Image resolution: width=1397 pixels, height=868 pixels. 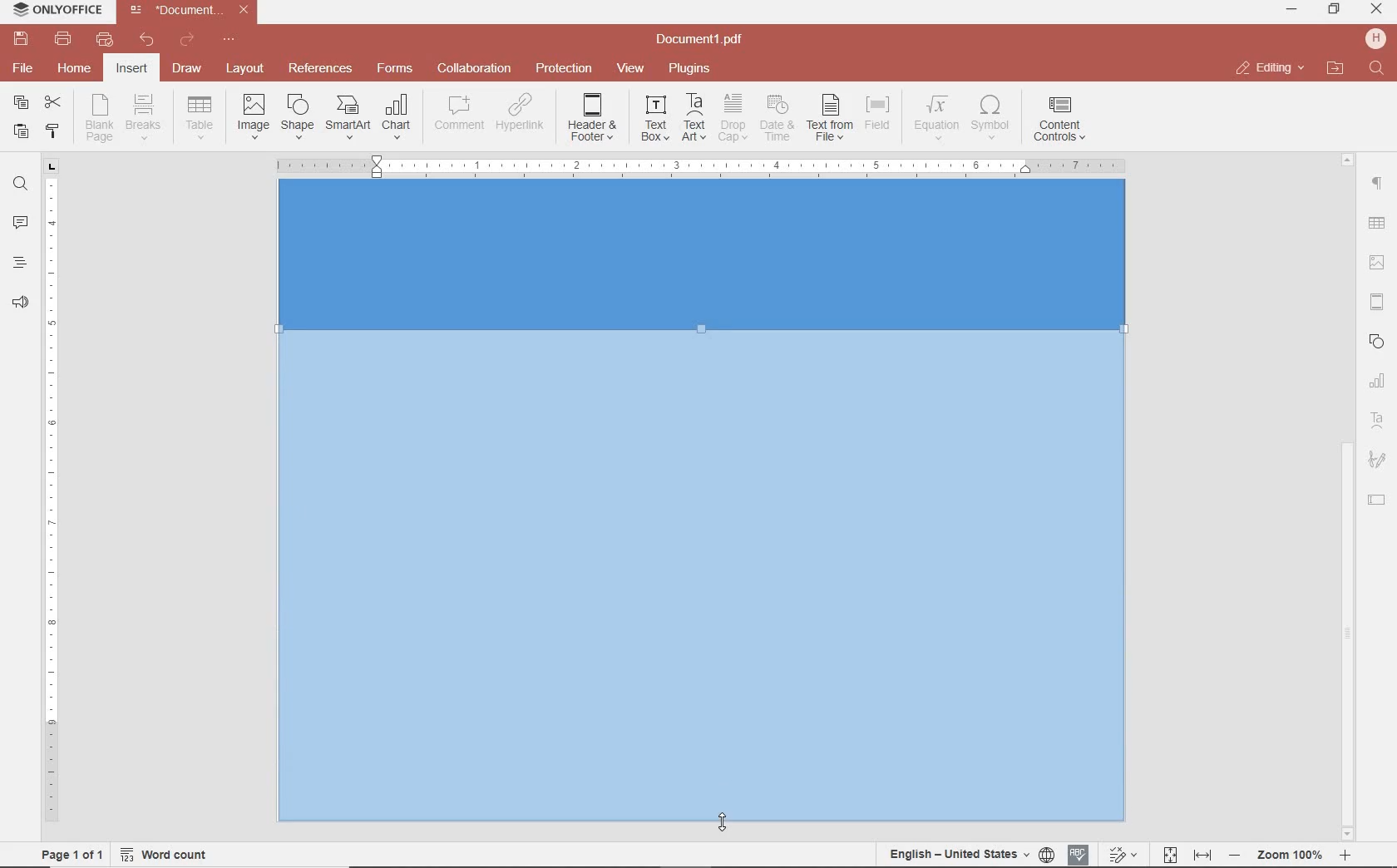 I want to click on TEXT FIELD, so click(x=1377, y=499).